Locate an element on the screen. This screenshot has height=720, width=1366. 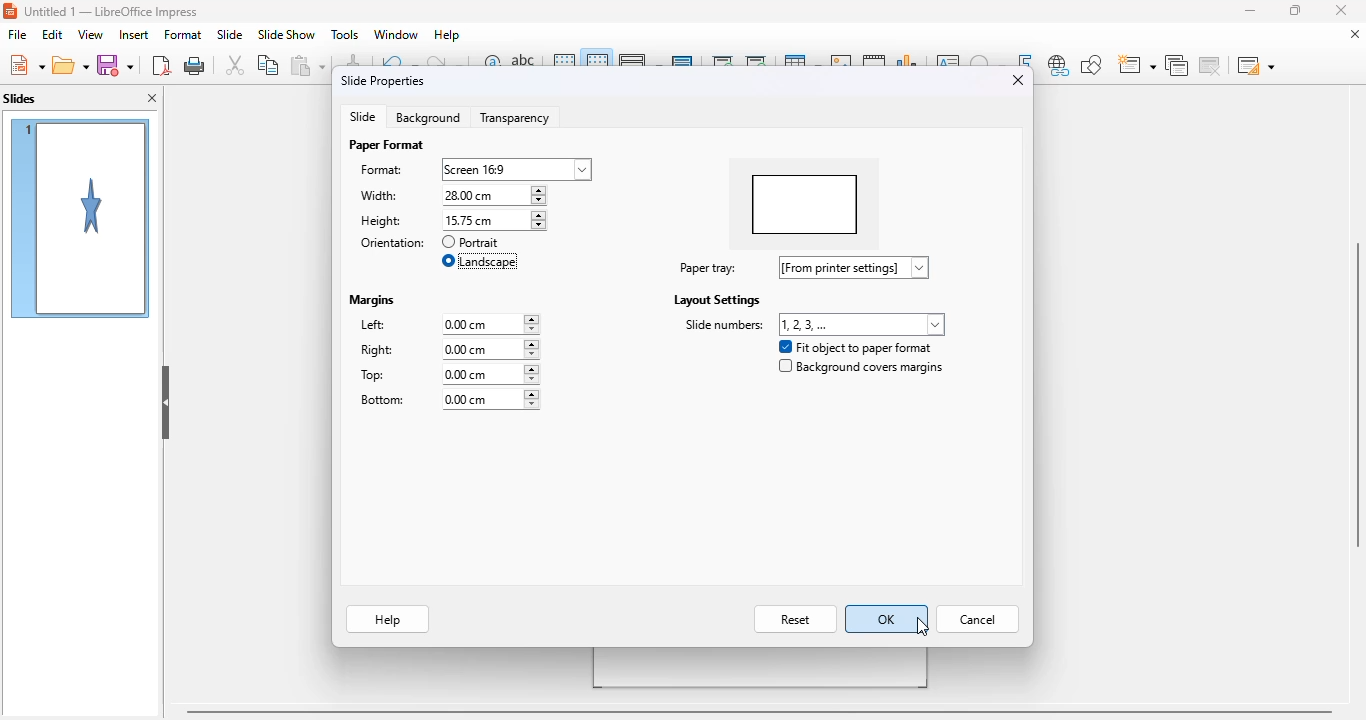
decreasing top margin is located at coordinates (531, 381).